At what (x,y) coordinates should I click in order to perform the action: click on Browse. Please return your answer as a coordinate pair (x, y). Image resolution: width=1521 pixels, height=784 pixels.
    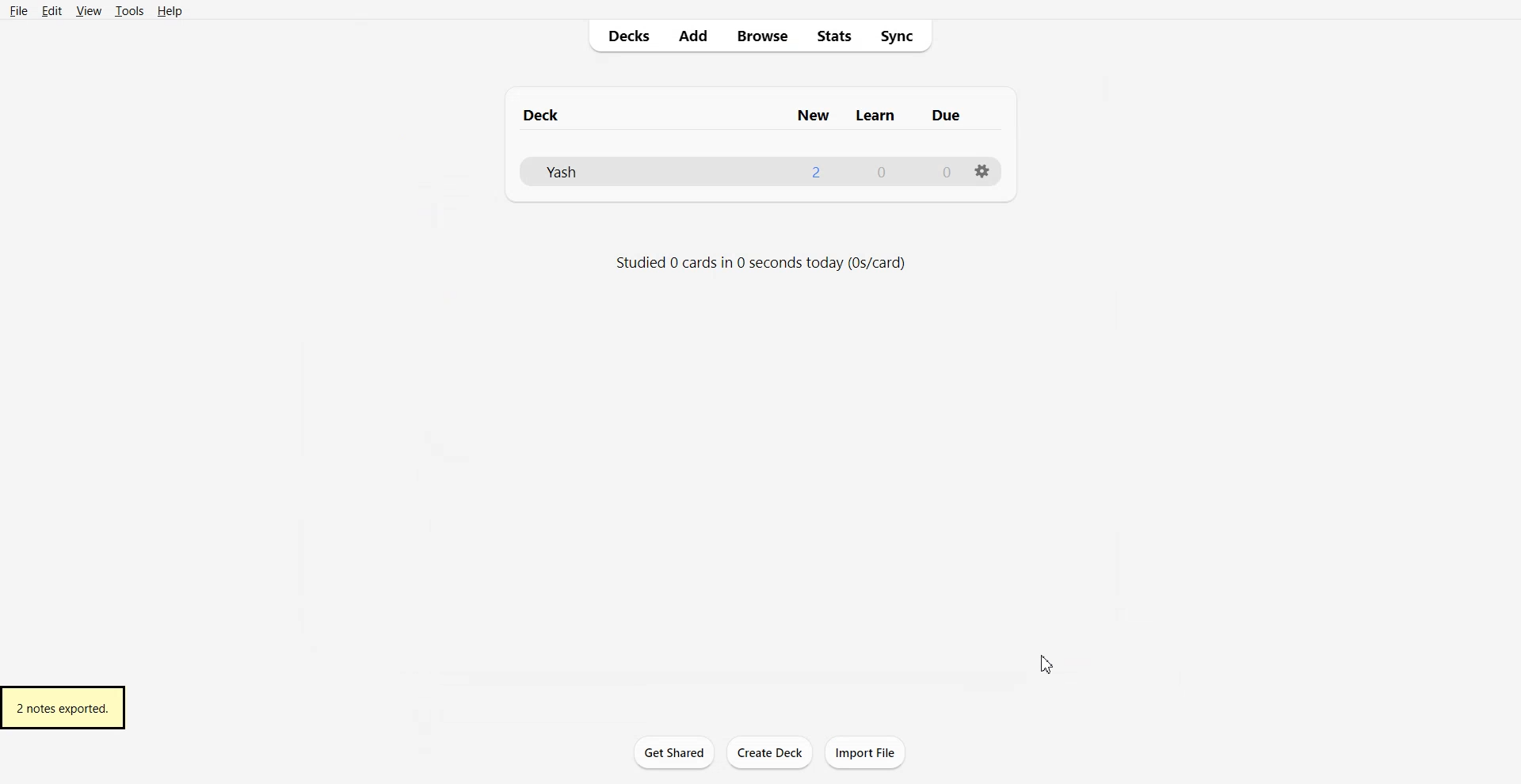
    Looking at the image, I should click on (762, 36).